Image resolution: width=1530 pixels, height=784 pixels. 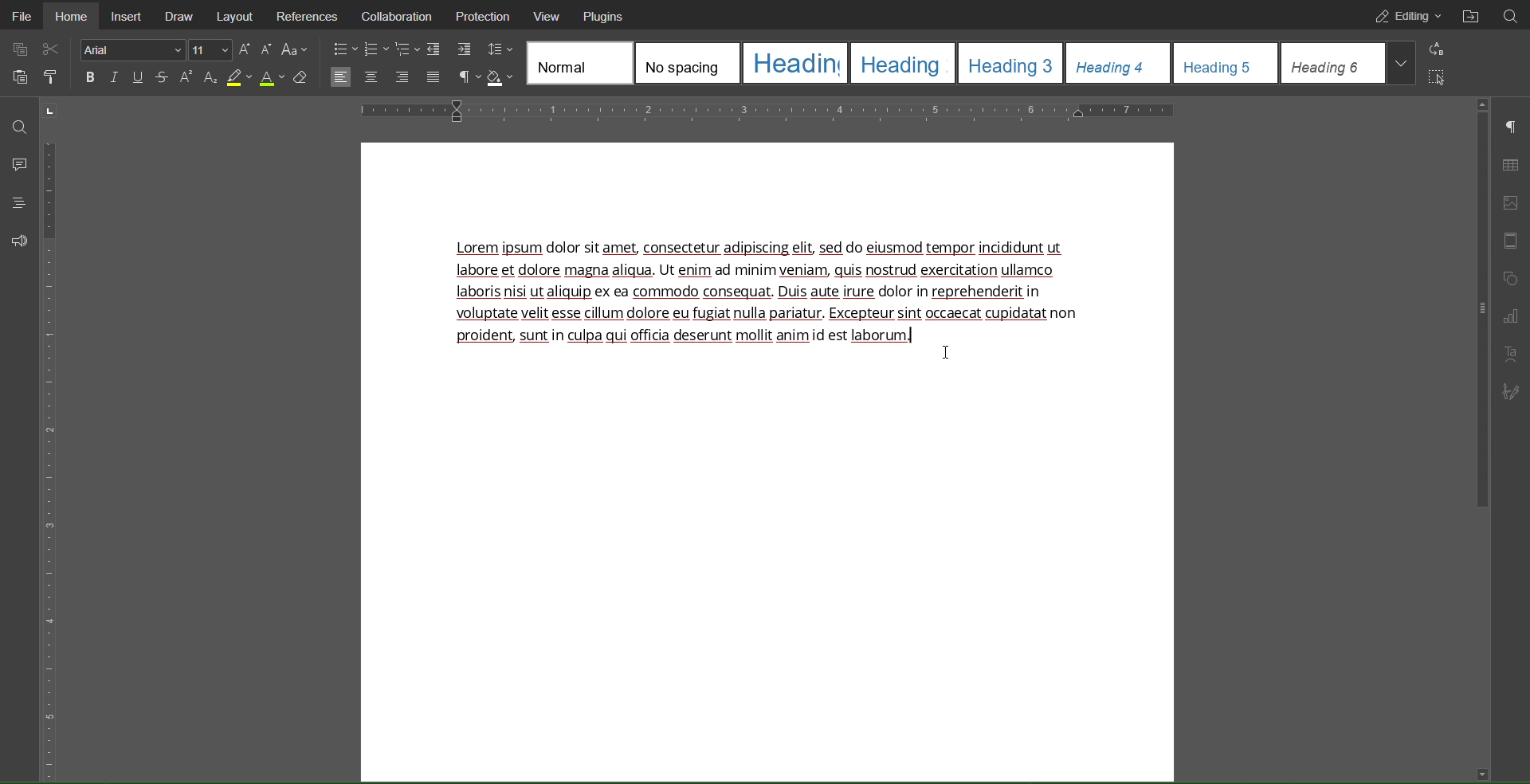 What do you see at coordinates (343, 77) in the screenshot?
I see `Left Alignment` at bounding box center [343, 77].